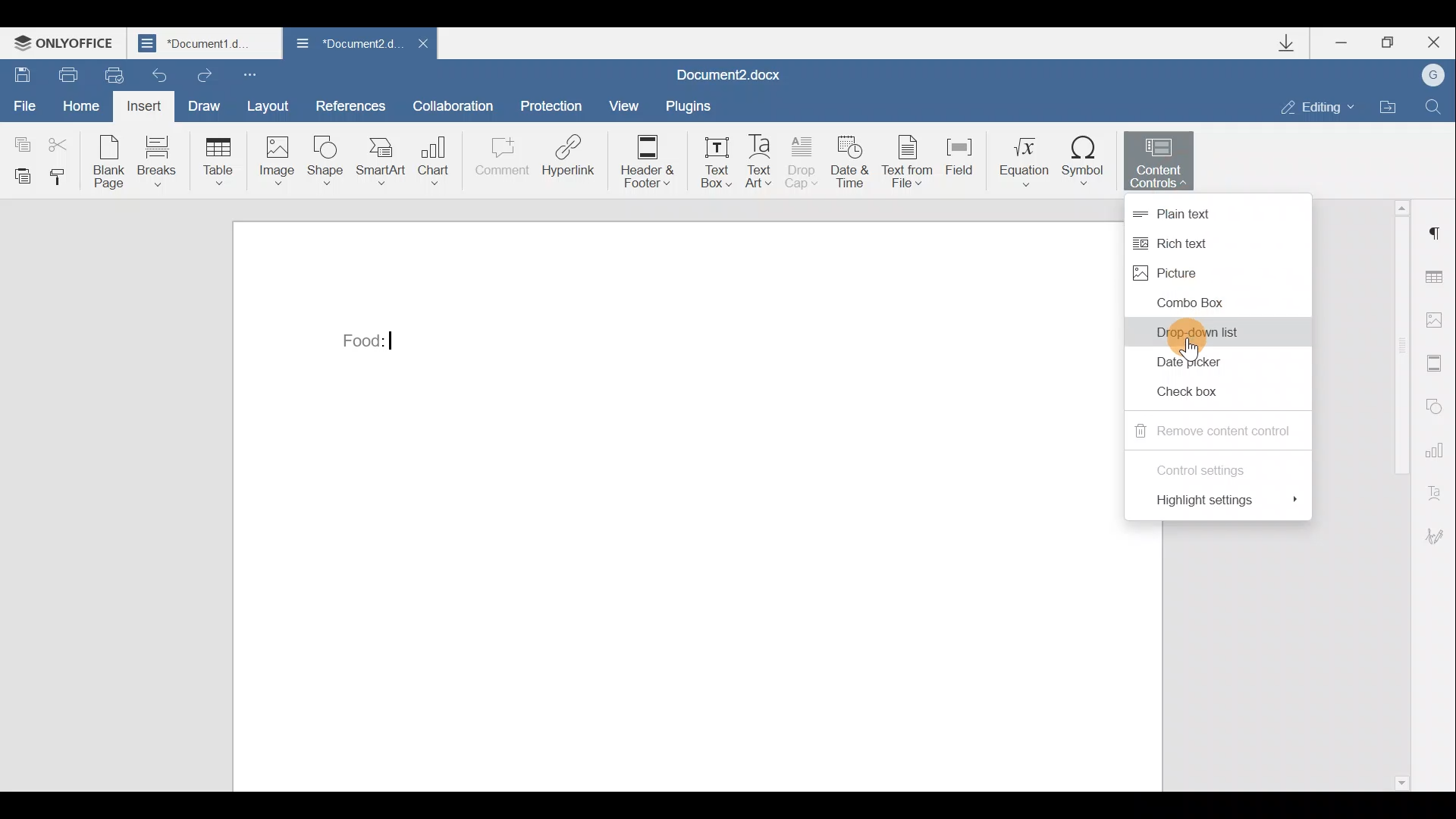 The height and width of the screenshot is (819, 1456). Describe the element at coordinates (1216, 214) in the screenshot. I see `Plain text` at that location.